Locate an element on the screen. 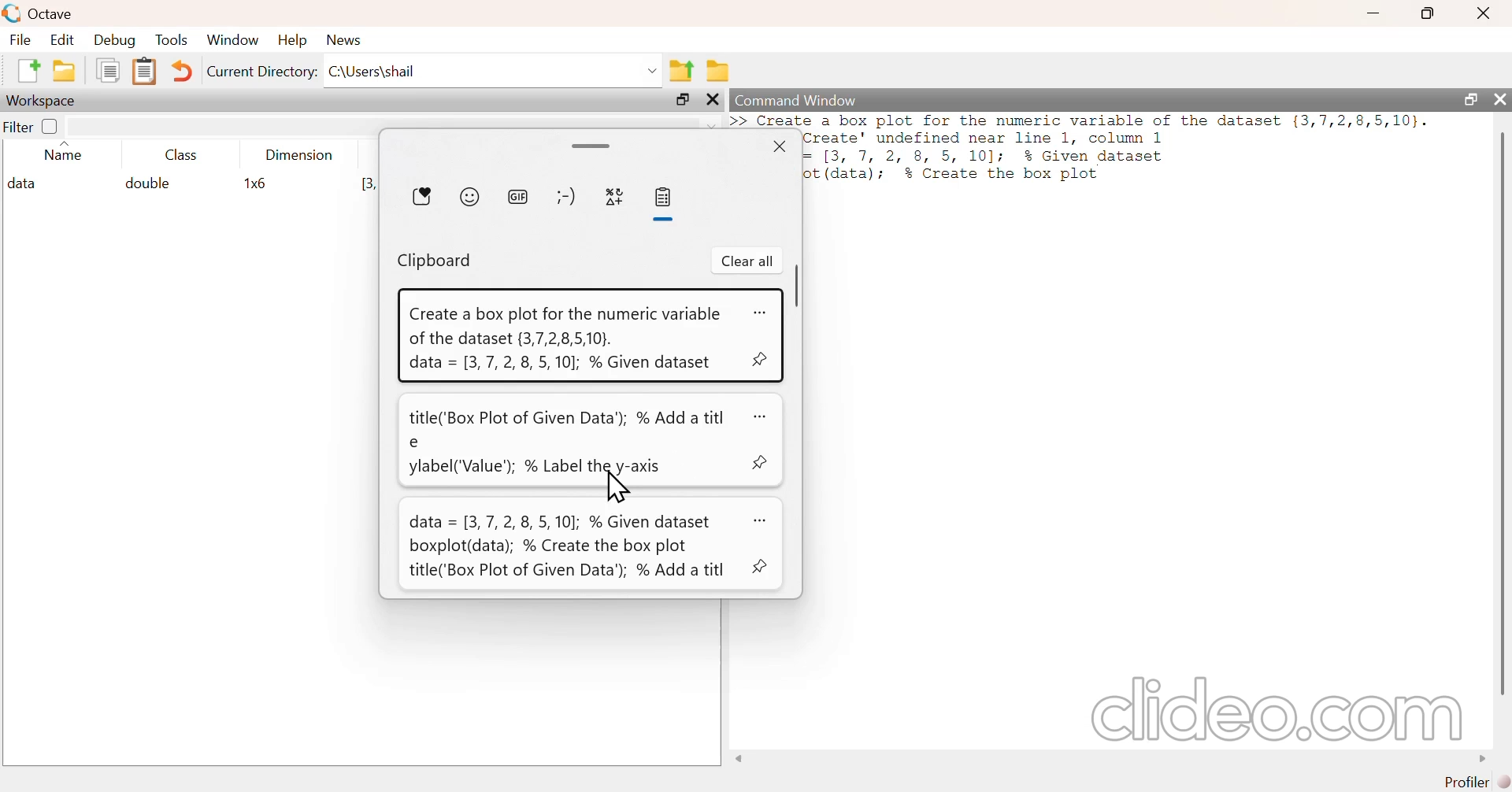 Image resolution: width=1512 pixels, height=792 pixels. edit is located at coordinates (66, 39).